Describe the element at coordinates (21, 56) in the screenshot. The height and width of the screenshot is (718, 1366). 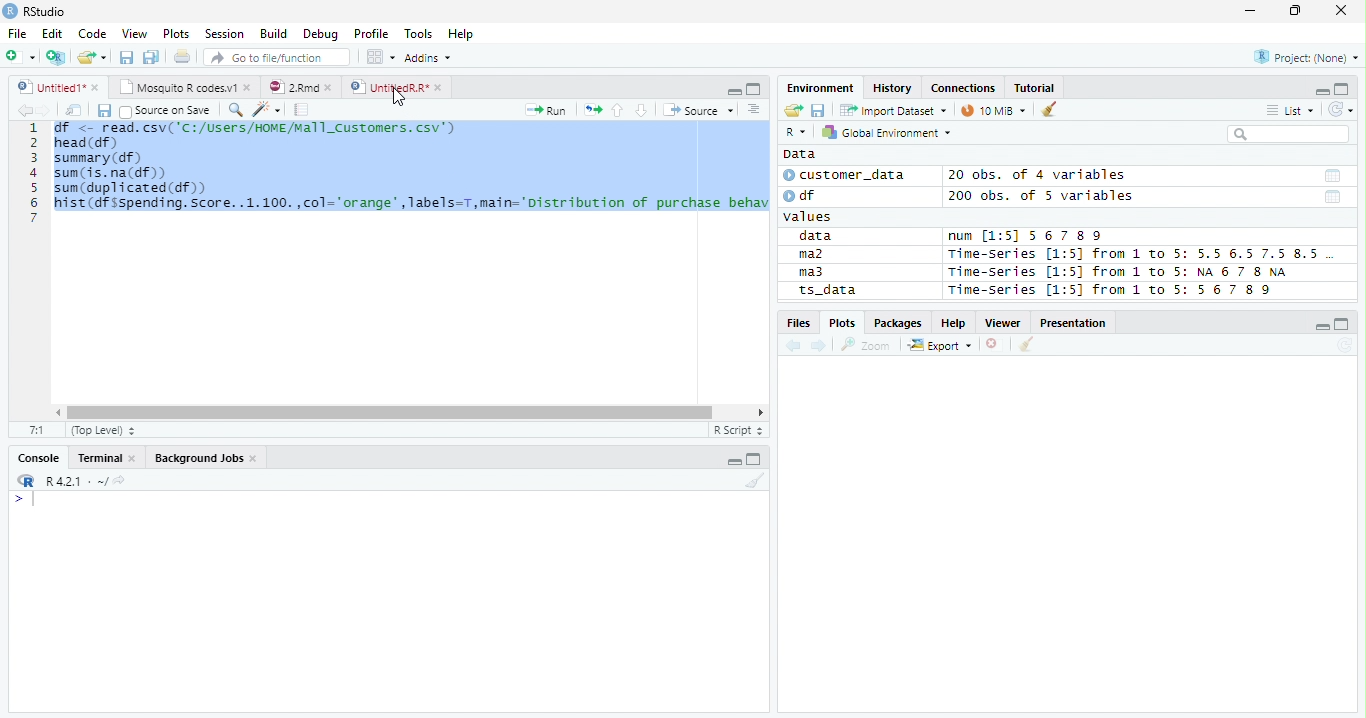
I see `New File` at that location.